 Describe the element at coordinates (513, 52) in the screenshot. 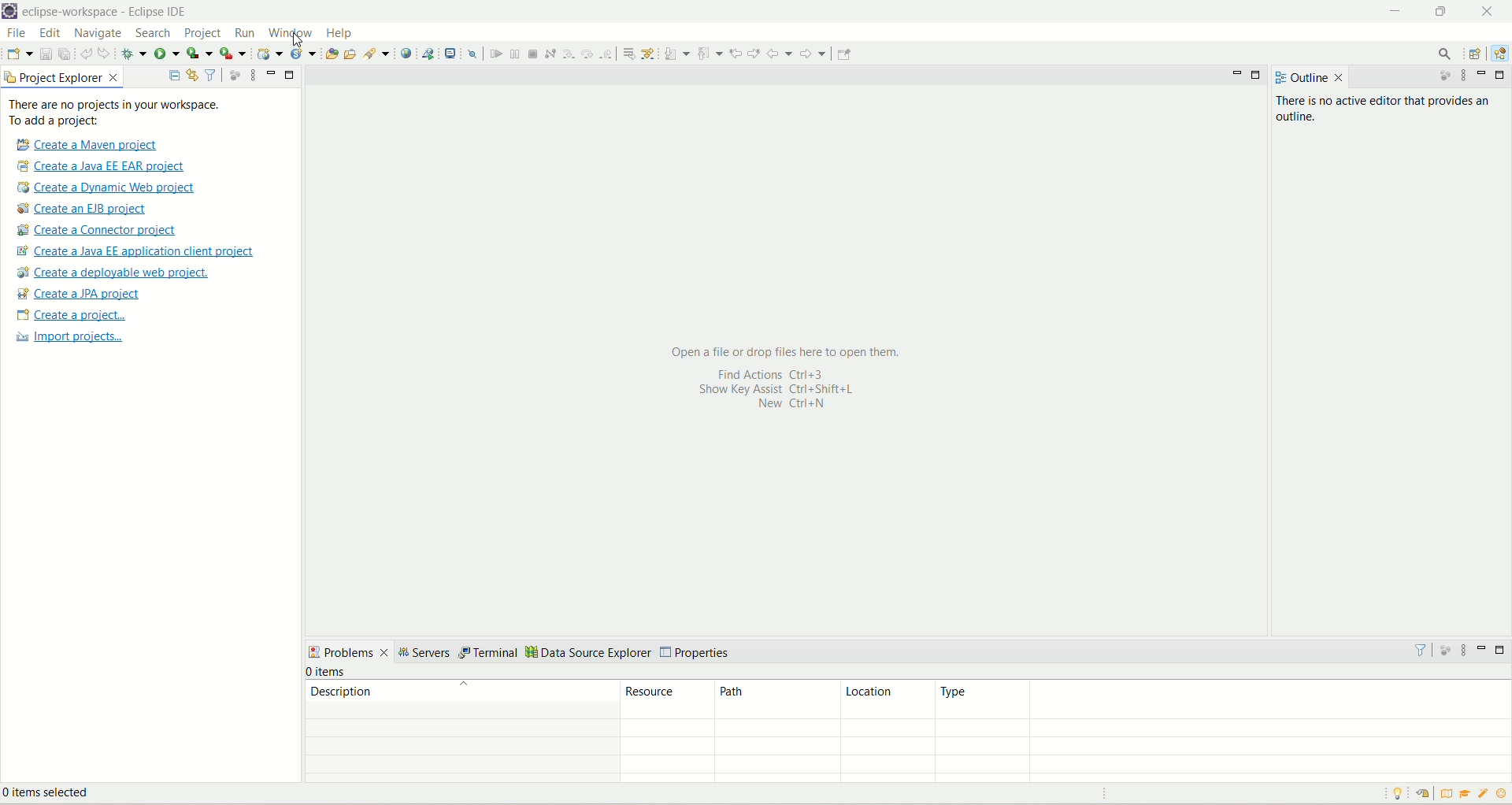

I see `suspend` at that location.